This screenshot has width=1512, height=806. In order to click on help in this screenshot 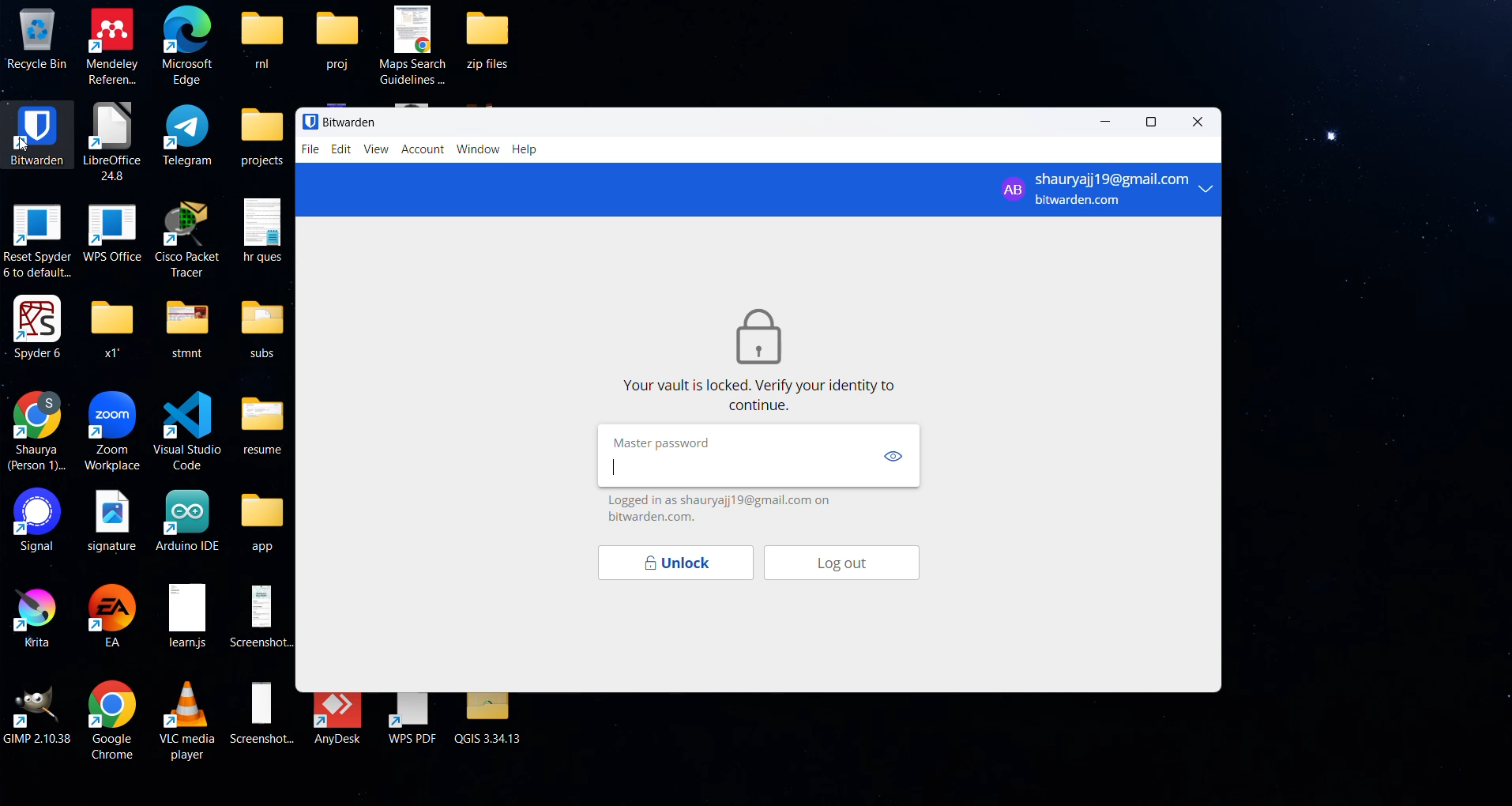, I will do `click(527, 151)`.